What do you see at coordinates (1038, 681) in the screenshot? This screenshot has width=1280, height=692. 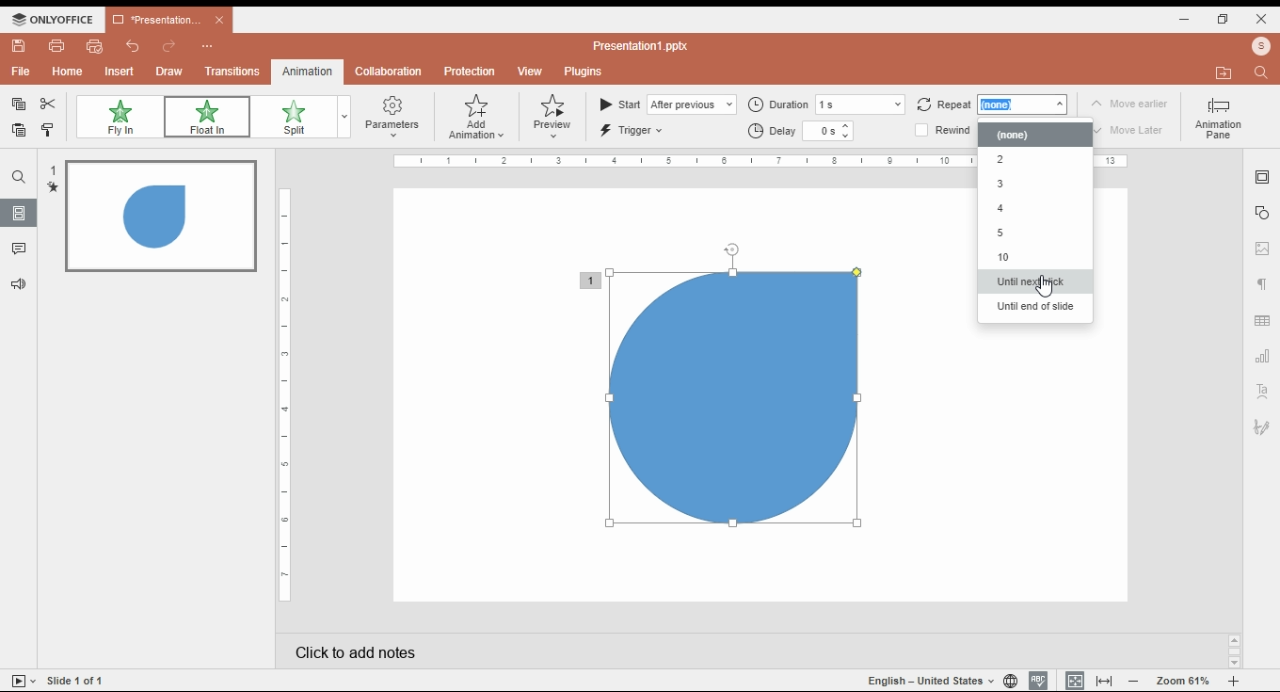 I see `spell check` at bounding box center [1038, 681].